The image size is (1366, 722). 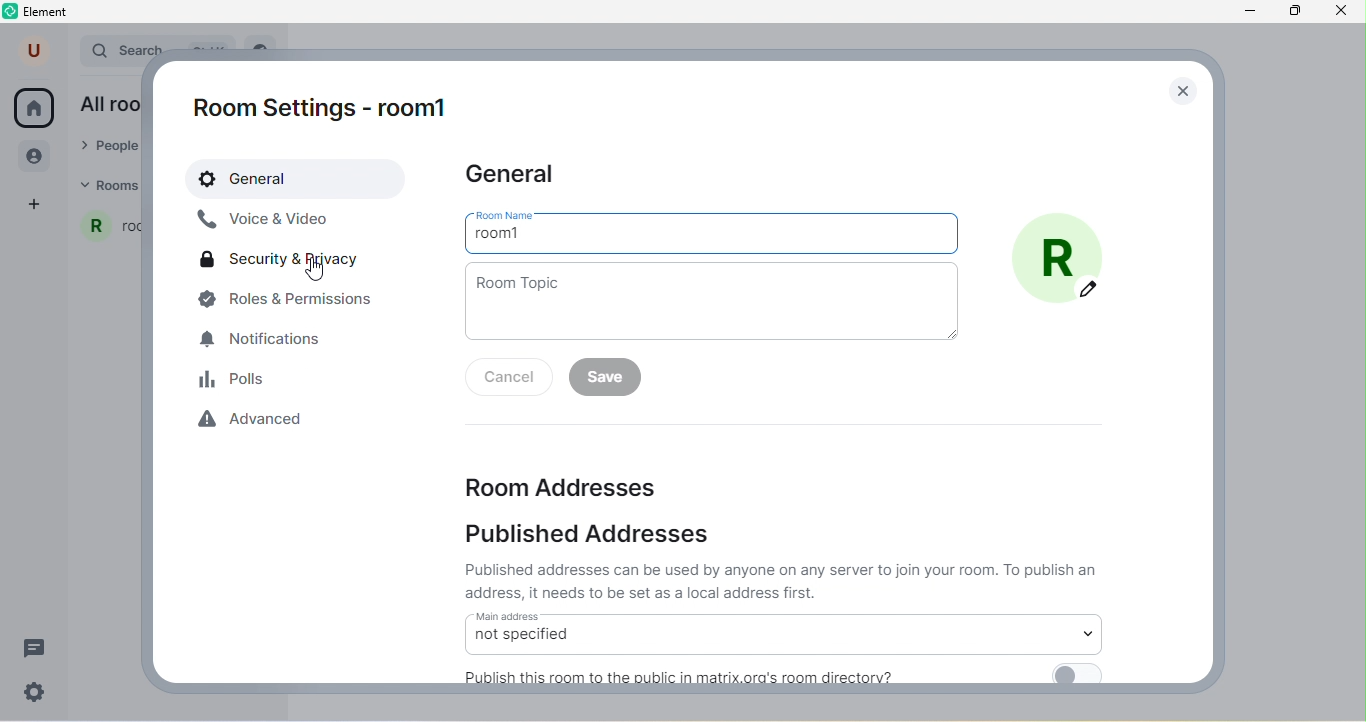 What do you see at coordinates (298, 303) in the screenshot?
I see `roles  and permissions` at bounding box center [298, 303].